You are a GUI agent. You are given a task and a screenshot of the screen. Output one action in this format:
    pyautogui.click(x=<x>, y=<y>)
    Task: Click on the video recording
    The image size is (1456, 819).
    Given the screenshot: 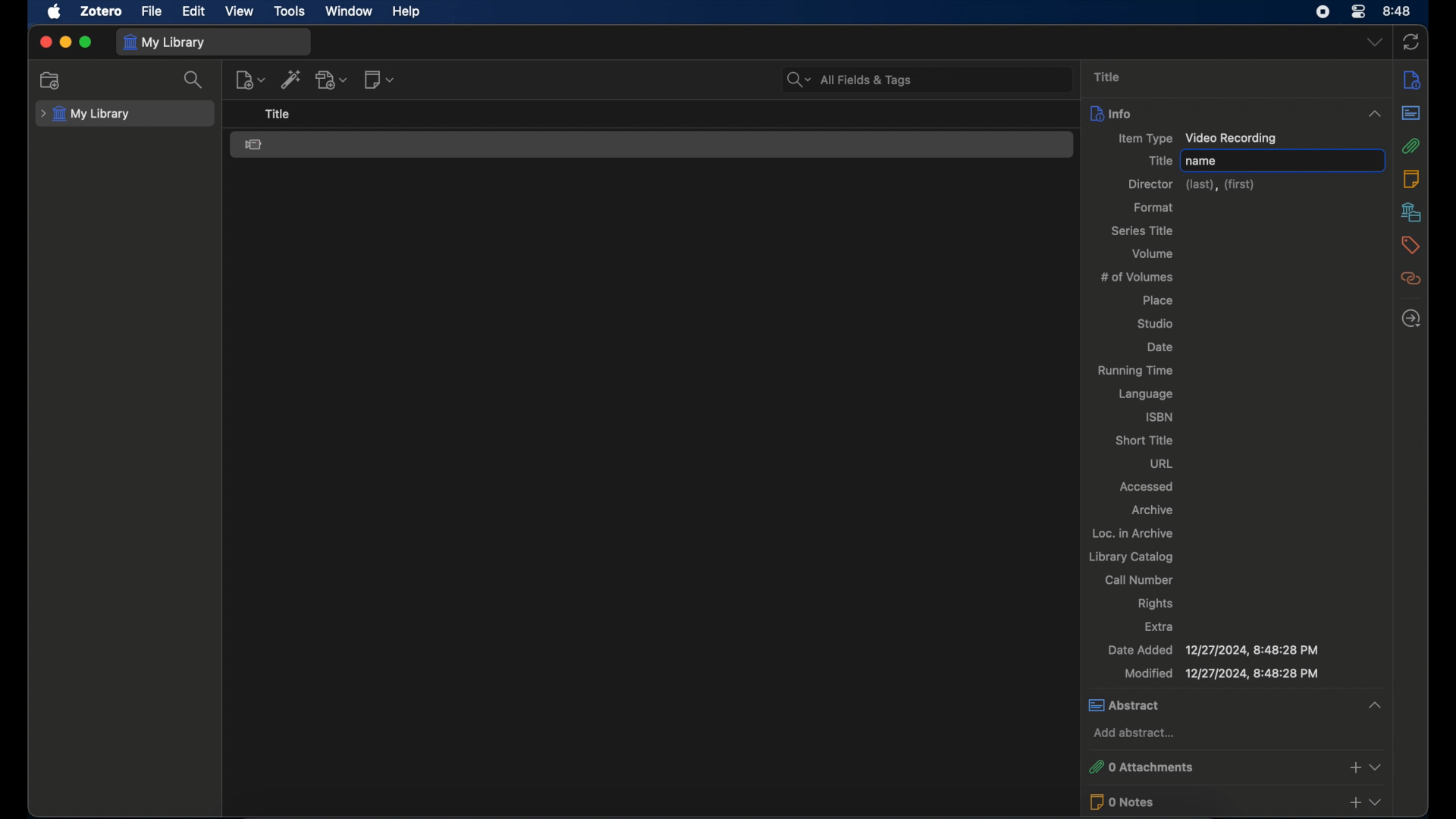 What is the action you would take?
    pyautogui.click(x=254, y=145)
    